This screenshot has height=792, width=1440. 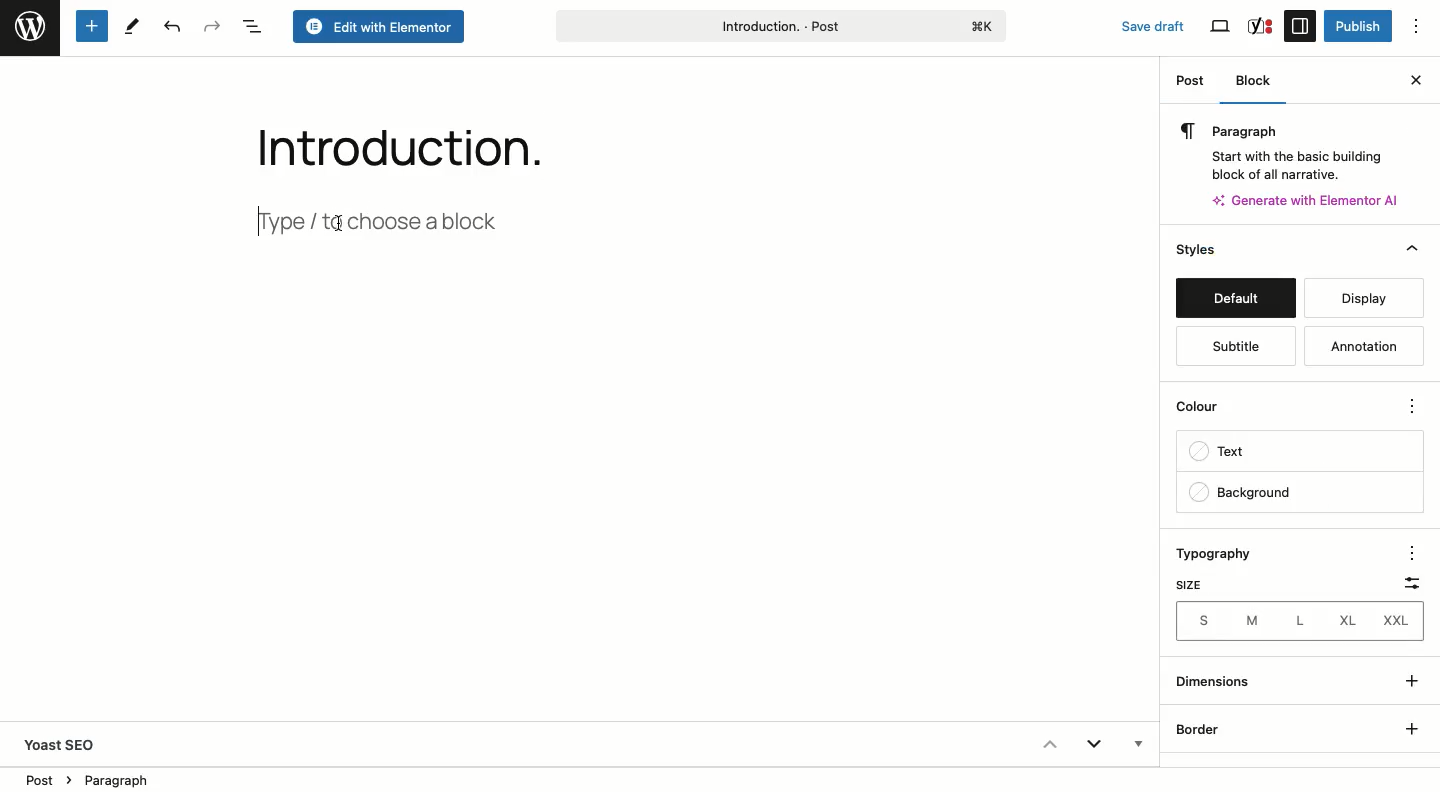 What do you see at coordinates (1259, 25) in the screenshot?
I see `Yoast` at bounding box center [1259, 25].